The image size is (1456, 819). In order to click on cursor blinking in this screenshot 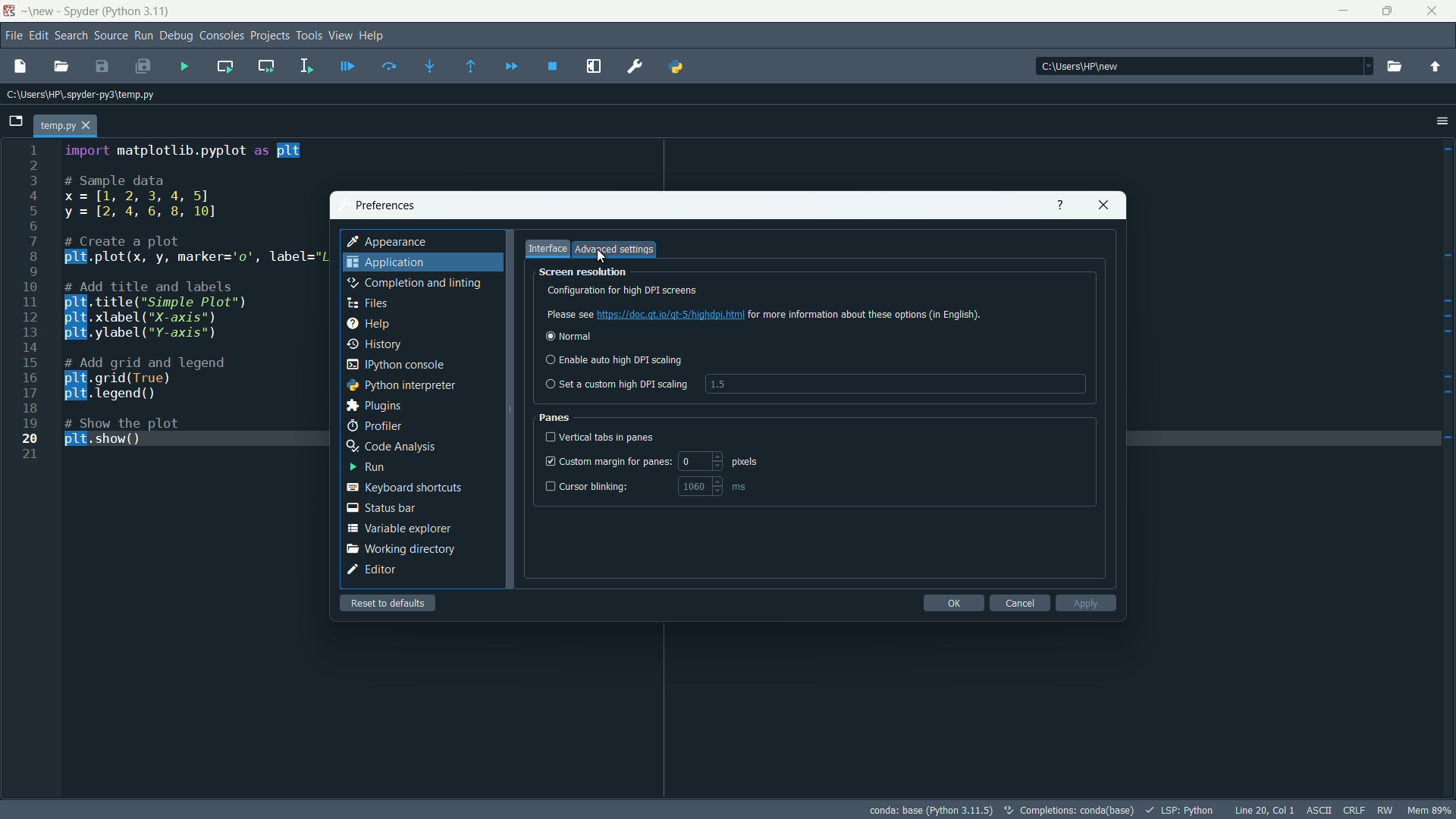, I will do `click(588, 485)`.